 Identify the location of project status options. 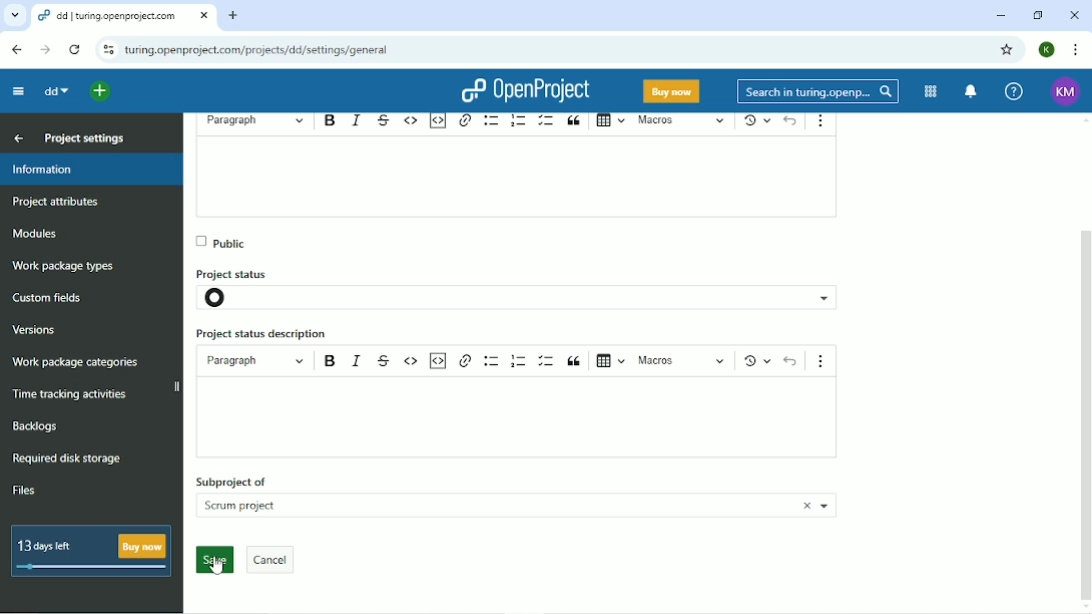
(809, 297).